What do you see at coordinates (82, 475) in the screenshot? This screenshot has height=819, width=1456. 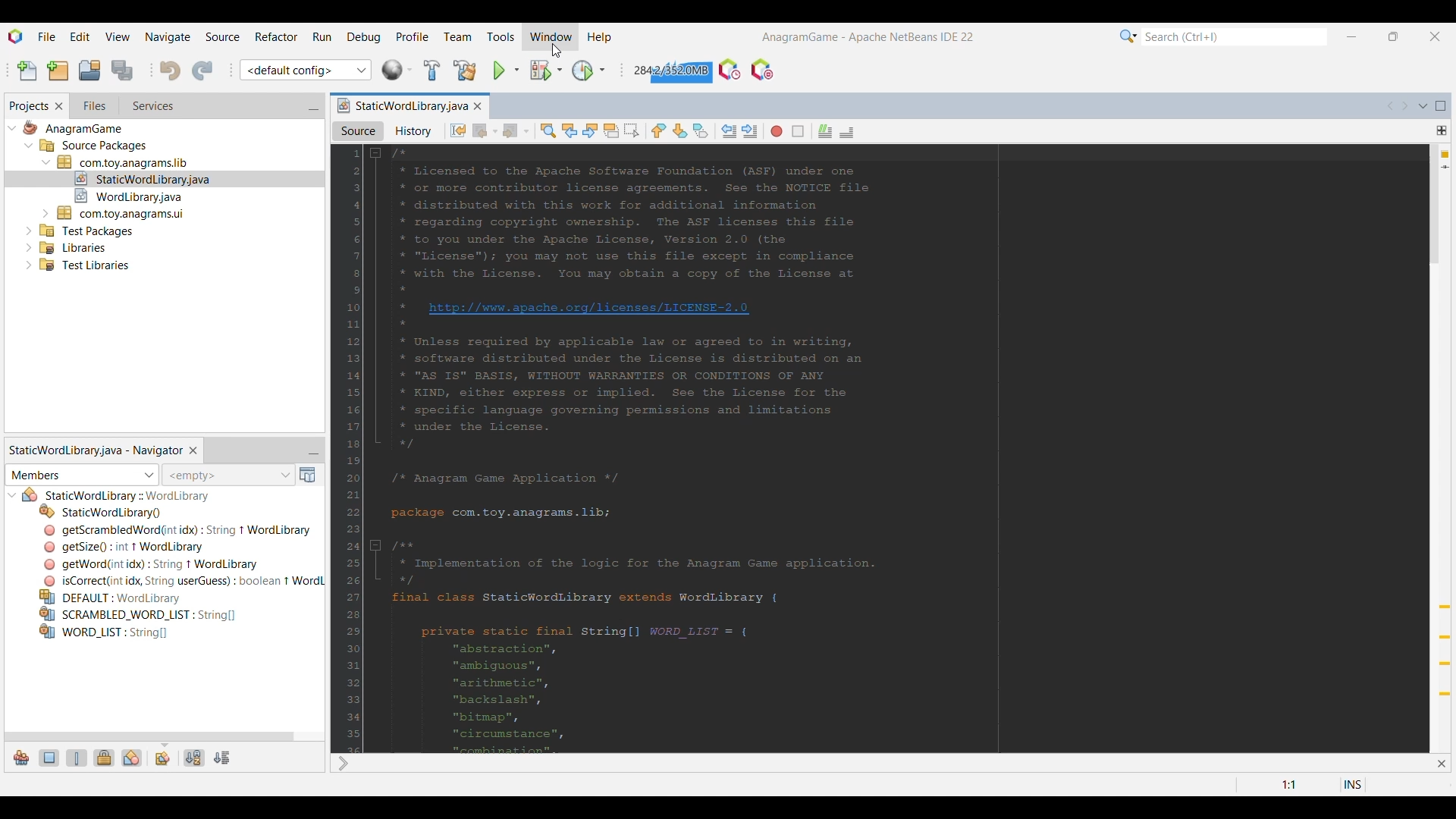 I see `Members/Bean patterns` at bounding box center [82, 475].